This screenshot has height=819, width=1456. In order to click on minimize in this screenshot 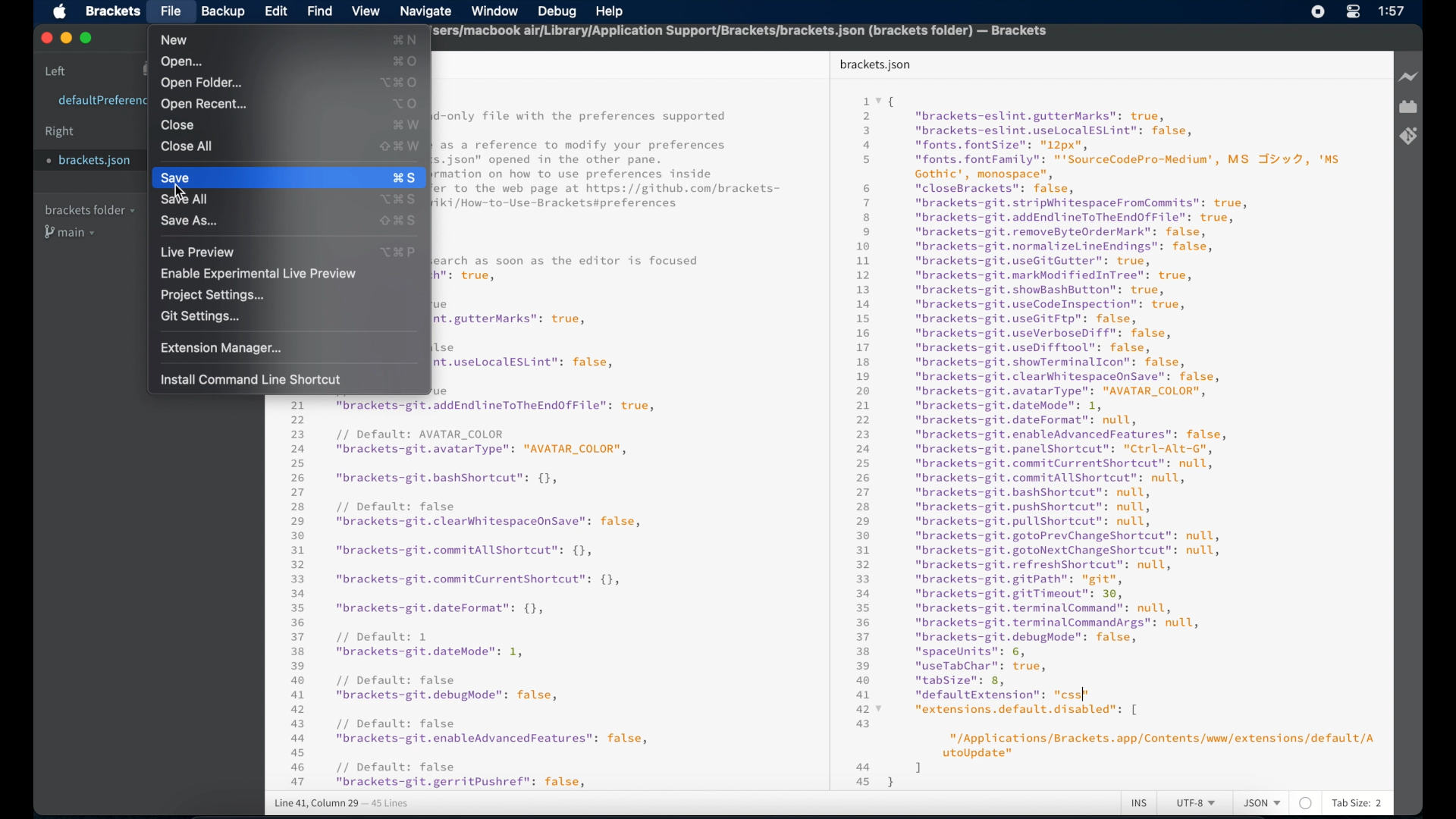, I will do `click(66, 39)`.